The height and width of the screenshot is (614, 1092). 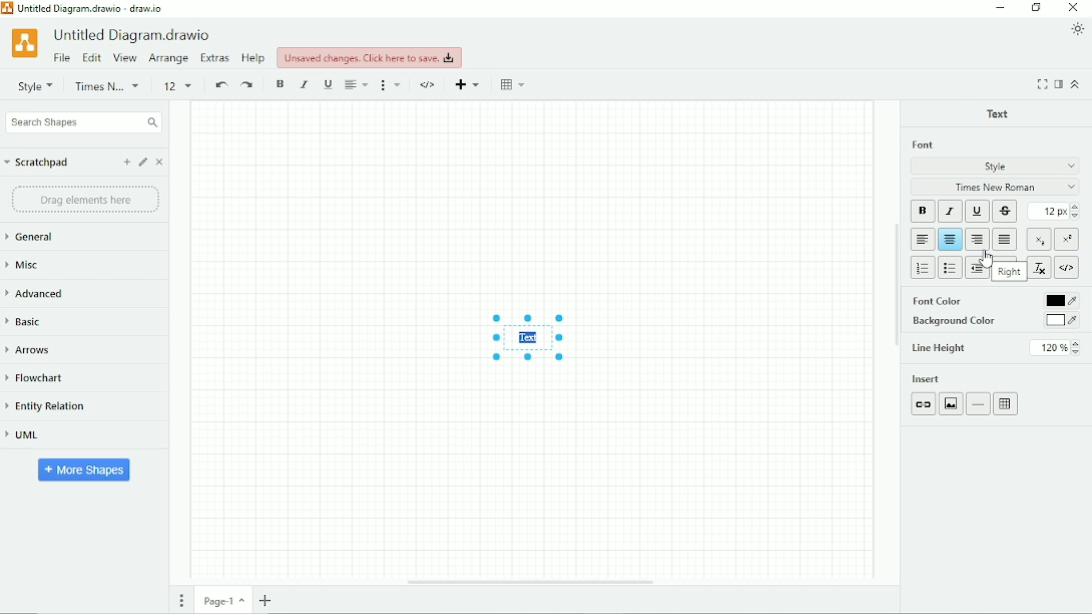 I want to click on Close, so click(x=161, y=162).